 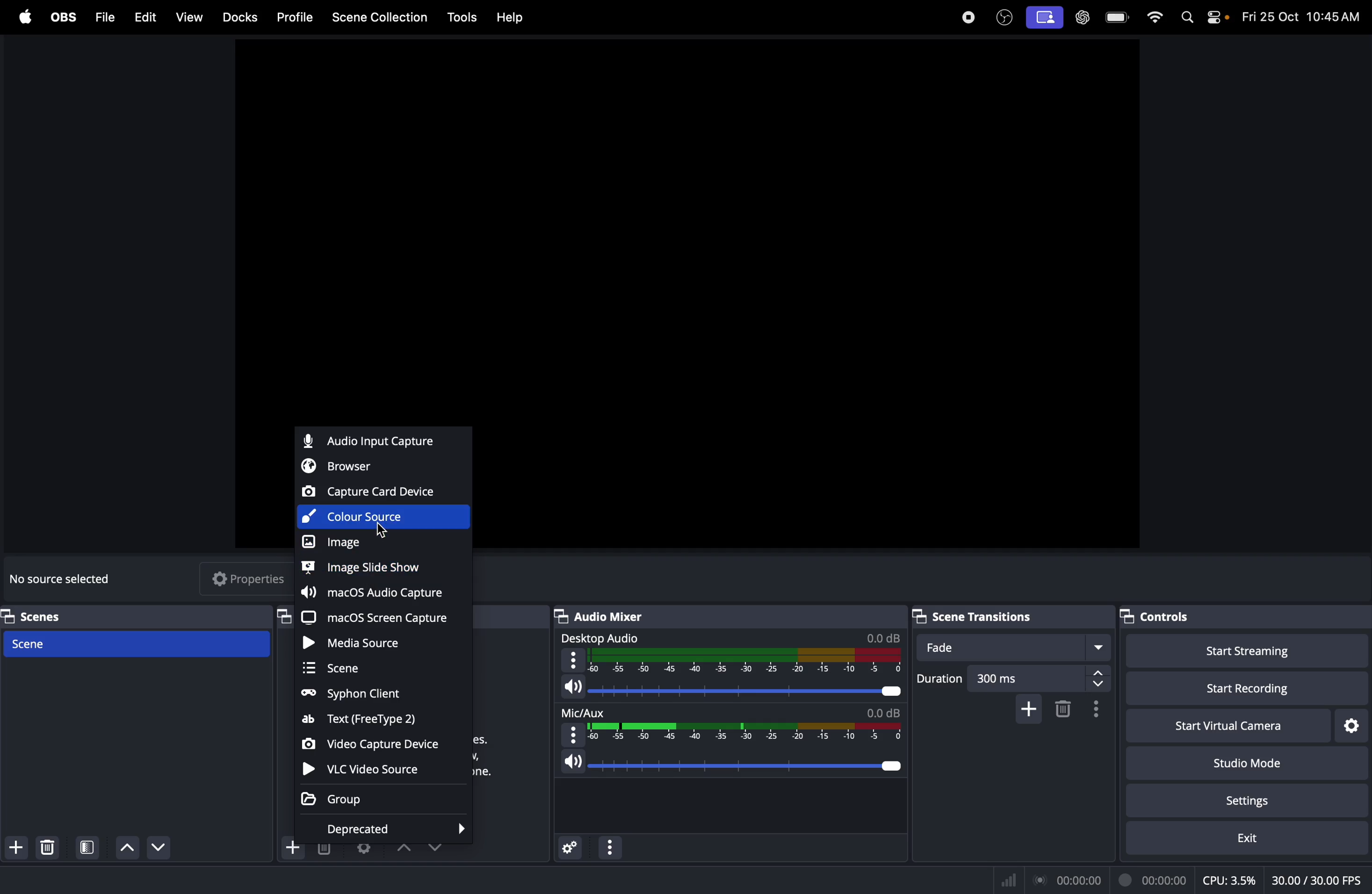 What do you see at coordinates (1232, 878) in the screenshot?
I see `cpu usage` at bounding box center [1232, 878].